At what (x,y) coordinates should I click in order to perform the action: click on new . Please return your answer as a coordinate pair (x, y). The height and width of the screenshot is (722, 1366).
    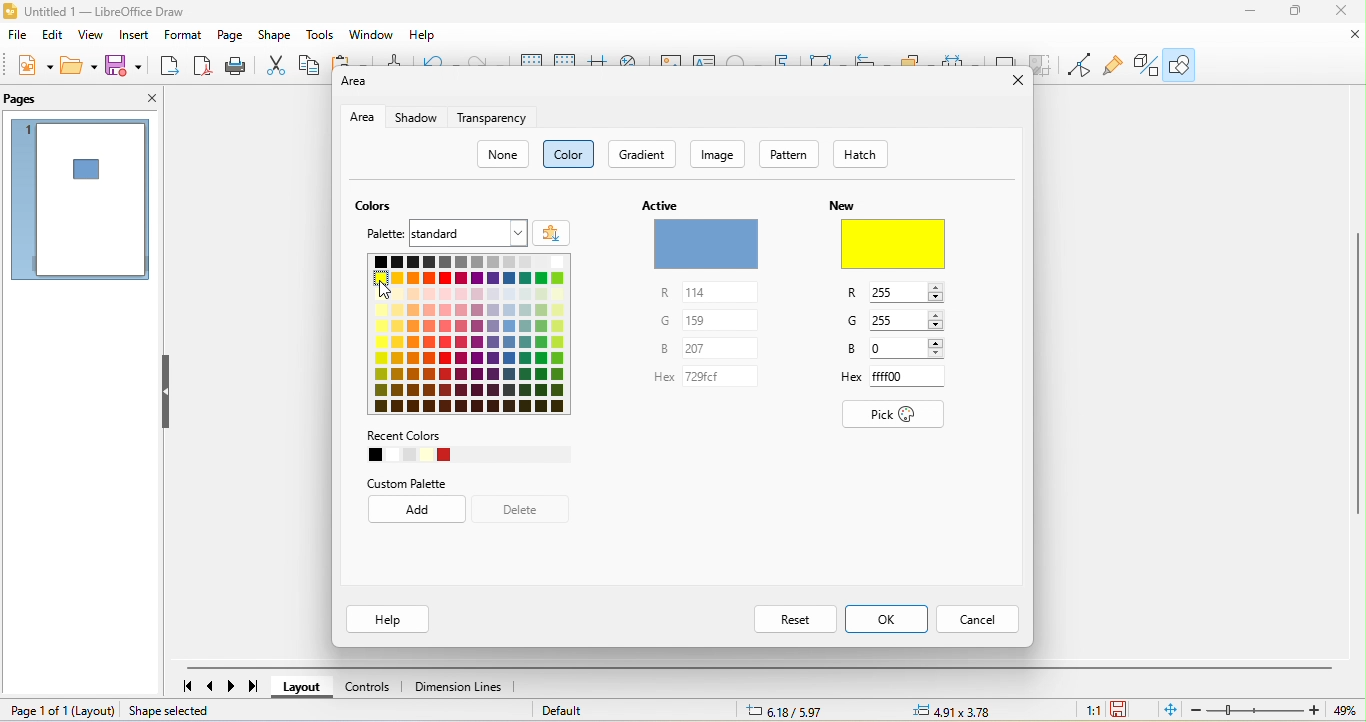
    Looking at the image, I should click on (34, 62).